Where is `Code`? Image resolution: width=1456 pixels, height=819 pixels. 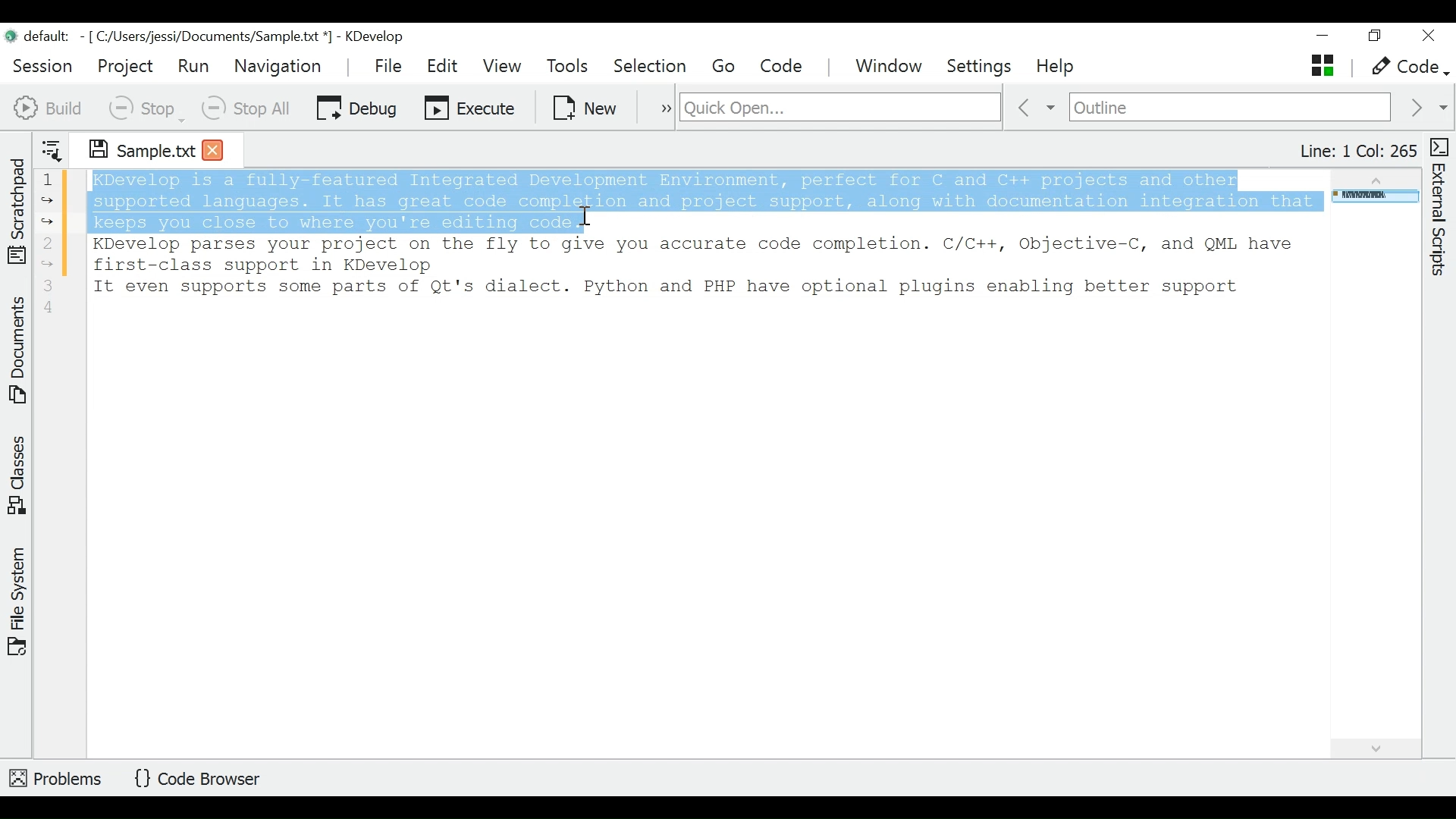 Code is located at coordinates (783, 66).